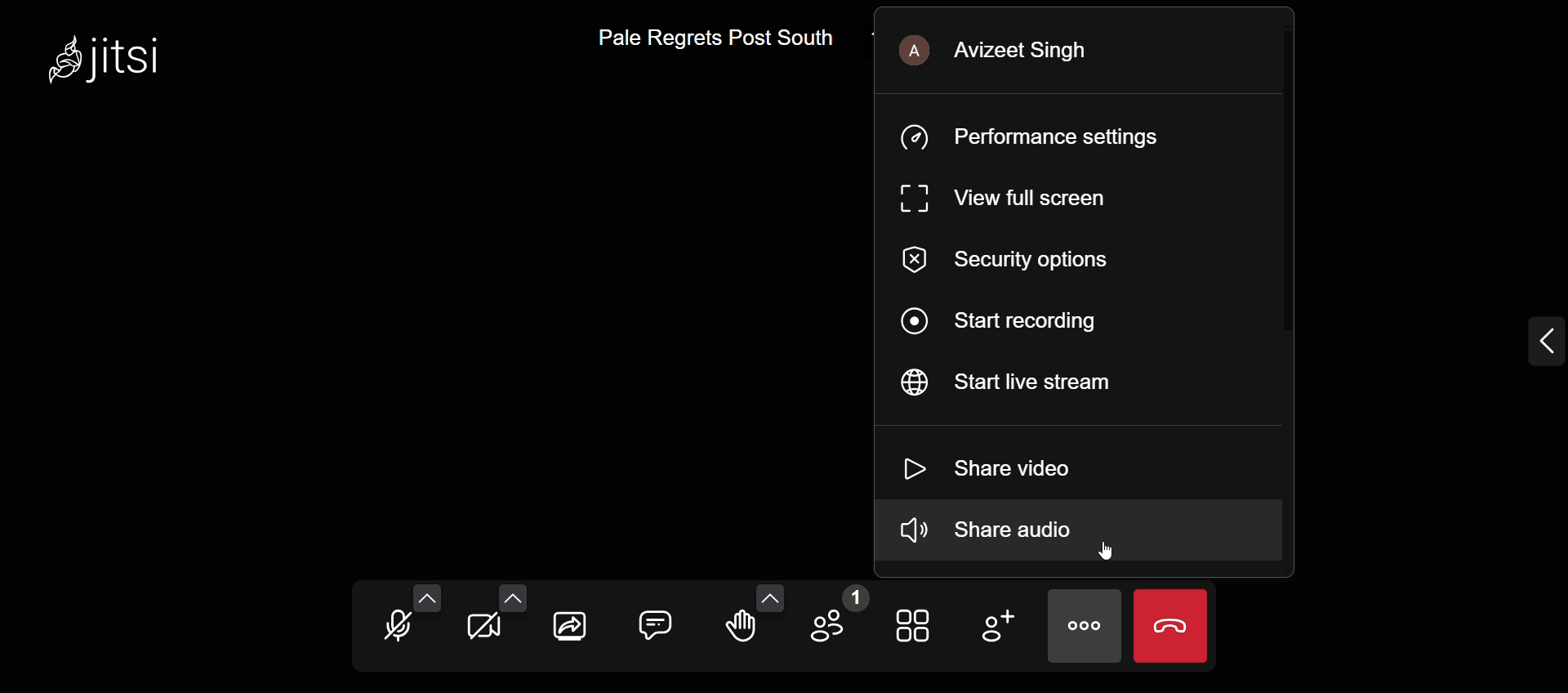 This screenshot has width=1568, height=693. Describe the element at coordinates (1083, 628) in the screenshot. I see `more actions` at that location.